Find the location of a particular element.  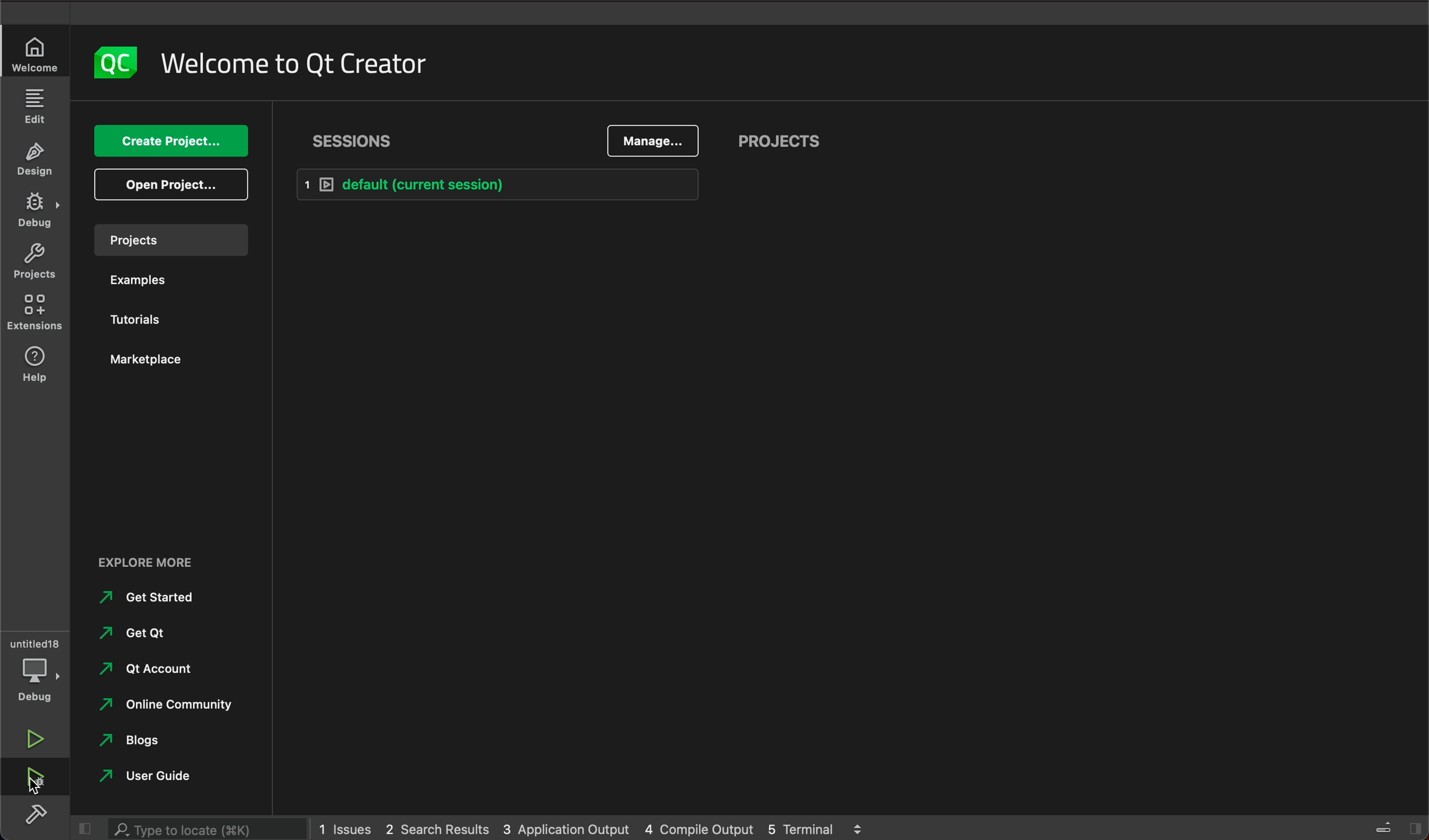

edit is located at coordinates (34, 106).